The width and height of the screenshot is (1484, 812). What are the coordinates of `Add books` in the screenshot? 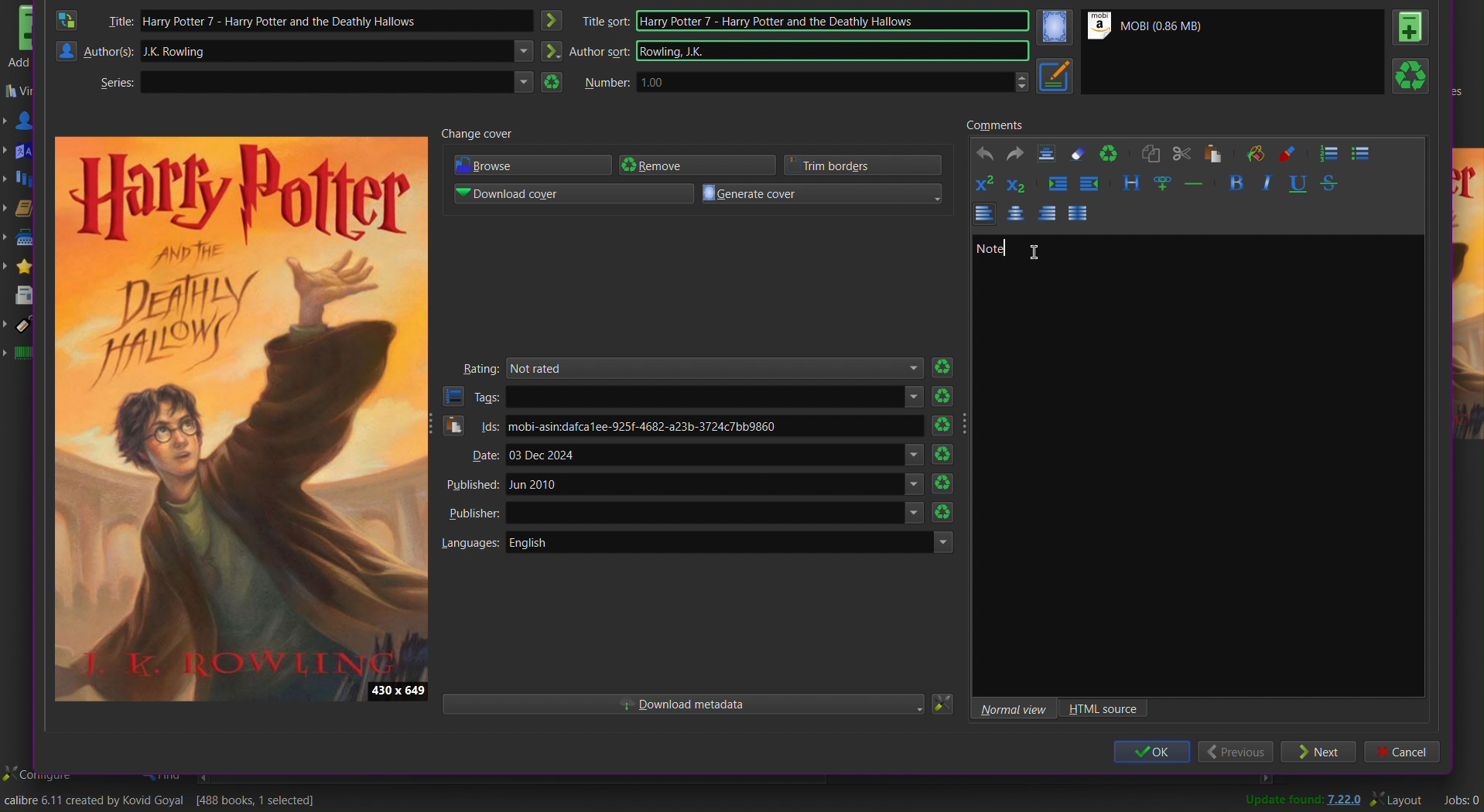 It's located at (20, 38).